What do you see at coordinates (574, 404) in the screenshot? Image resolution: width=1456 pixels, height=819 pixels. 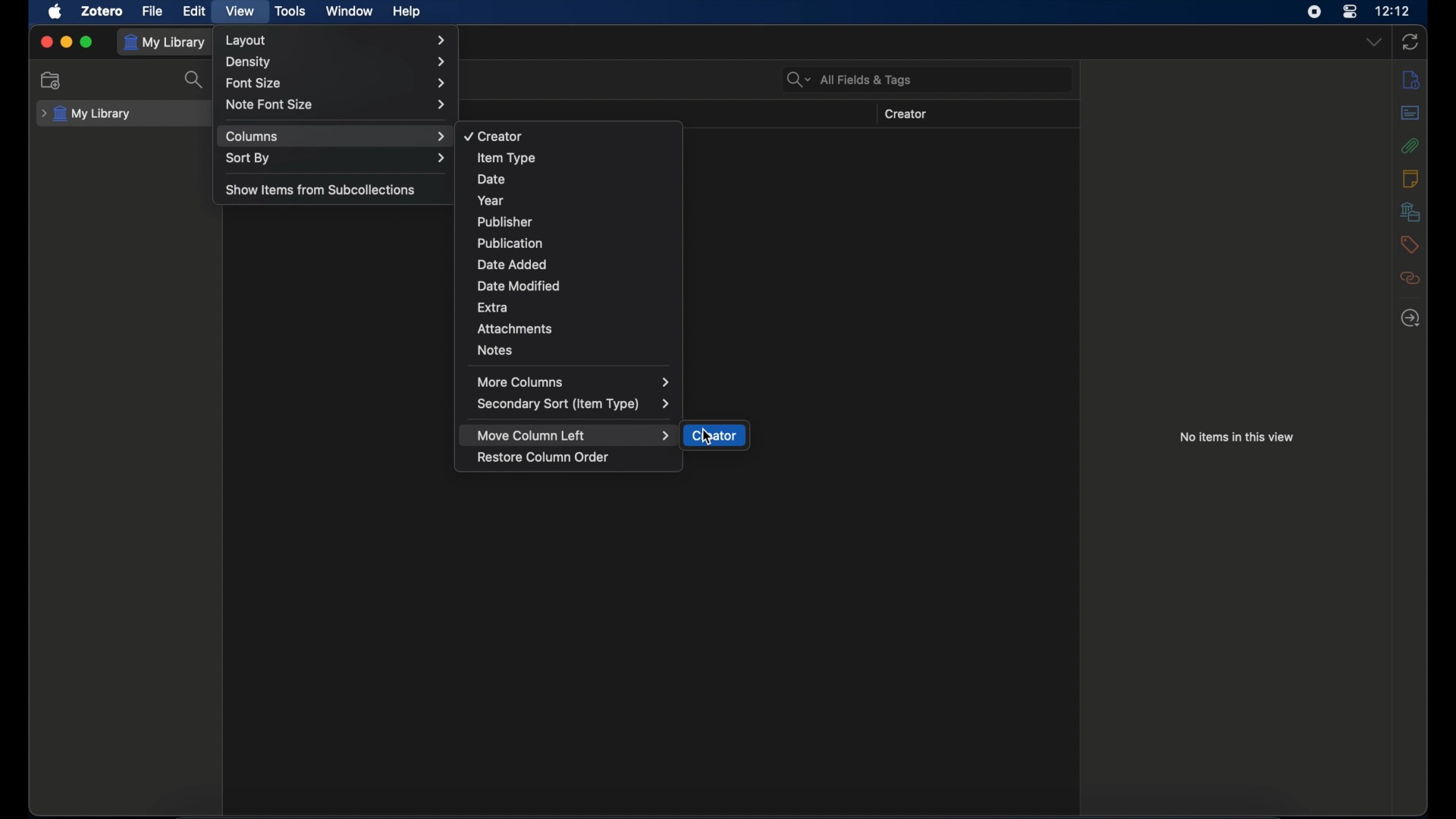 I see `secondary sort` at bounding box center [574, 404].